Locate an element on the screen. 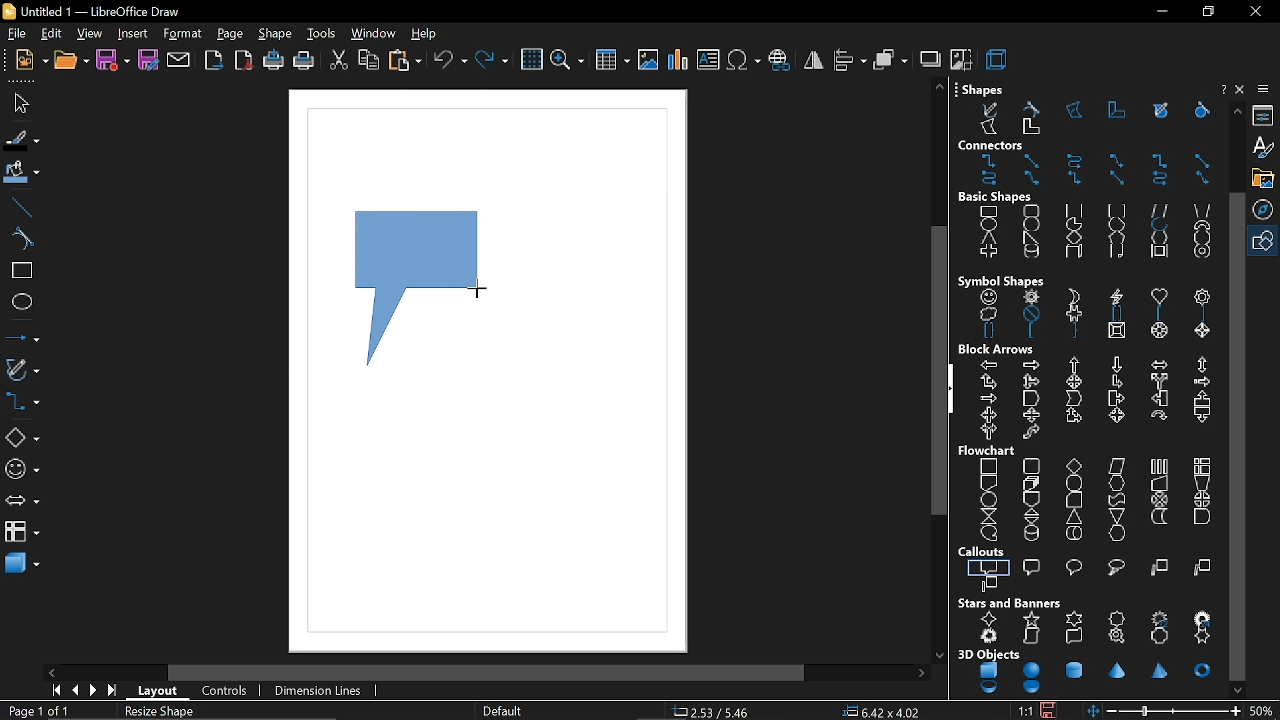 This screenshot has width=1280, height=720. flip is located at coordinates (814, 61).